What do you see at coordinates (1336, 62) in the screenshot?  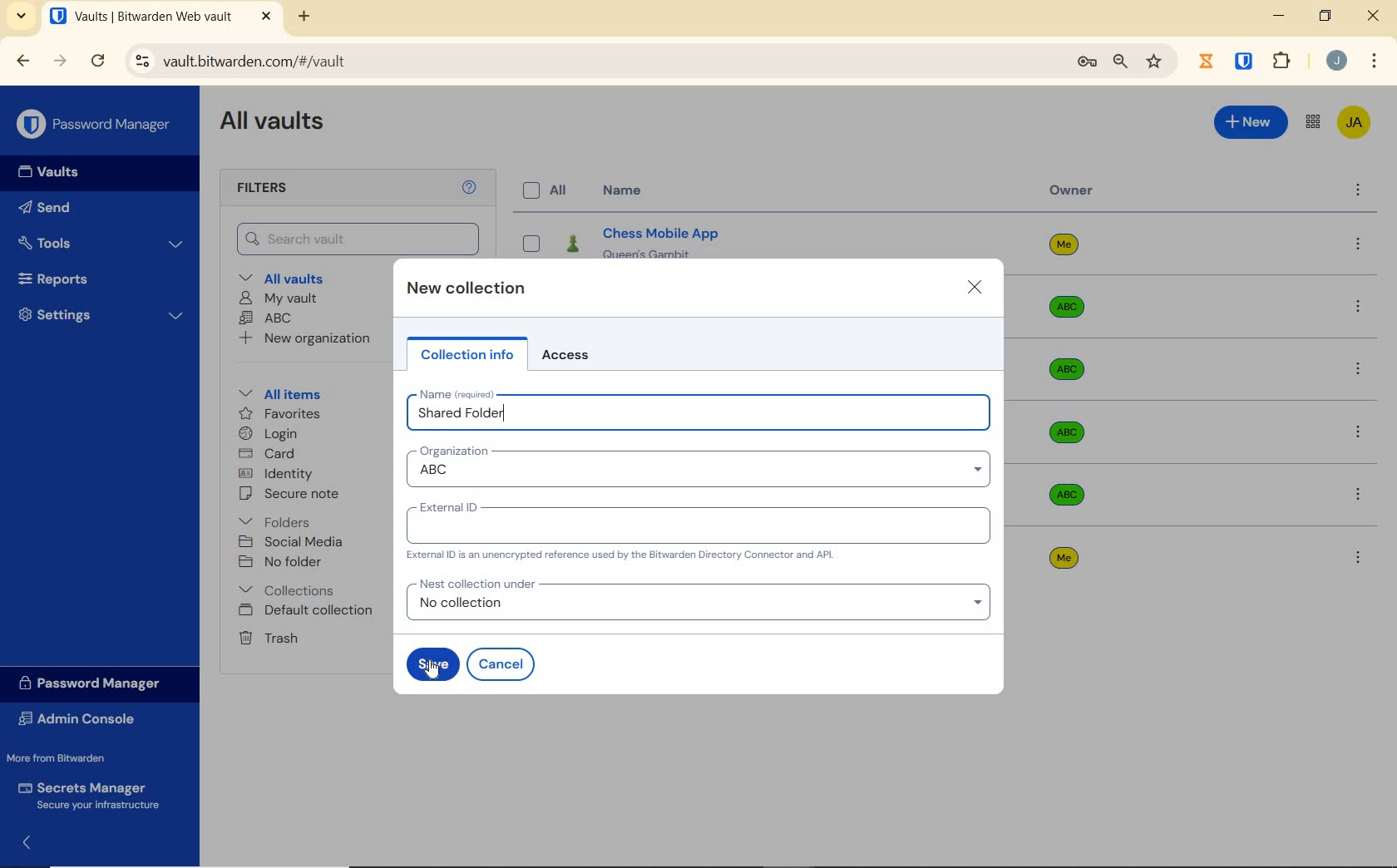 I see `Account` at bounding box center [1336, 62].